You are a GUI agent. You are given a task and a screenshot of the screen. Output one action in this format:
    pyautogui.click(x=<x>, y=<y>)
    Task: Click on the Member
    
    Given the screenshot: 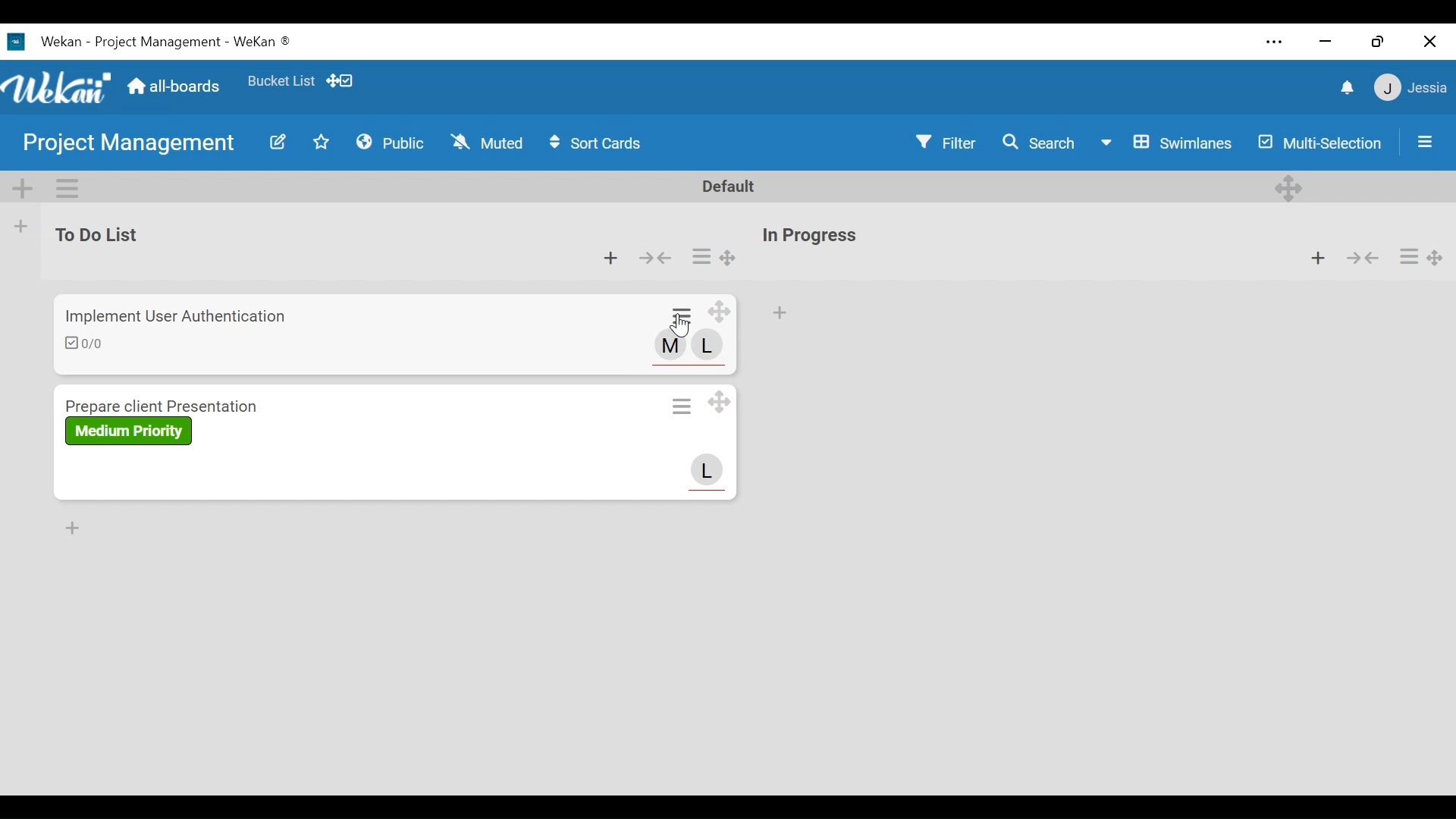 What is the action you would take?
    pyautogui.click(x=706, y=470)
    